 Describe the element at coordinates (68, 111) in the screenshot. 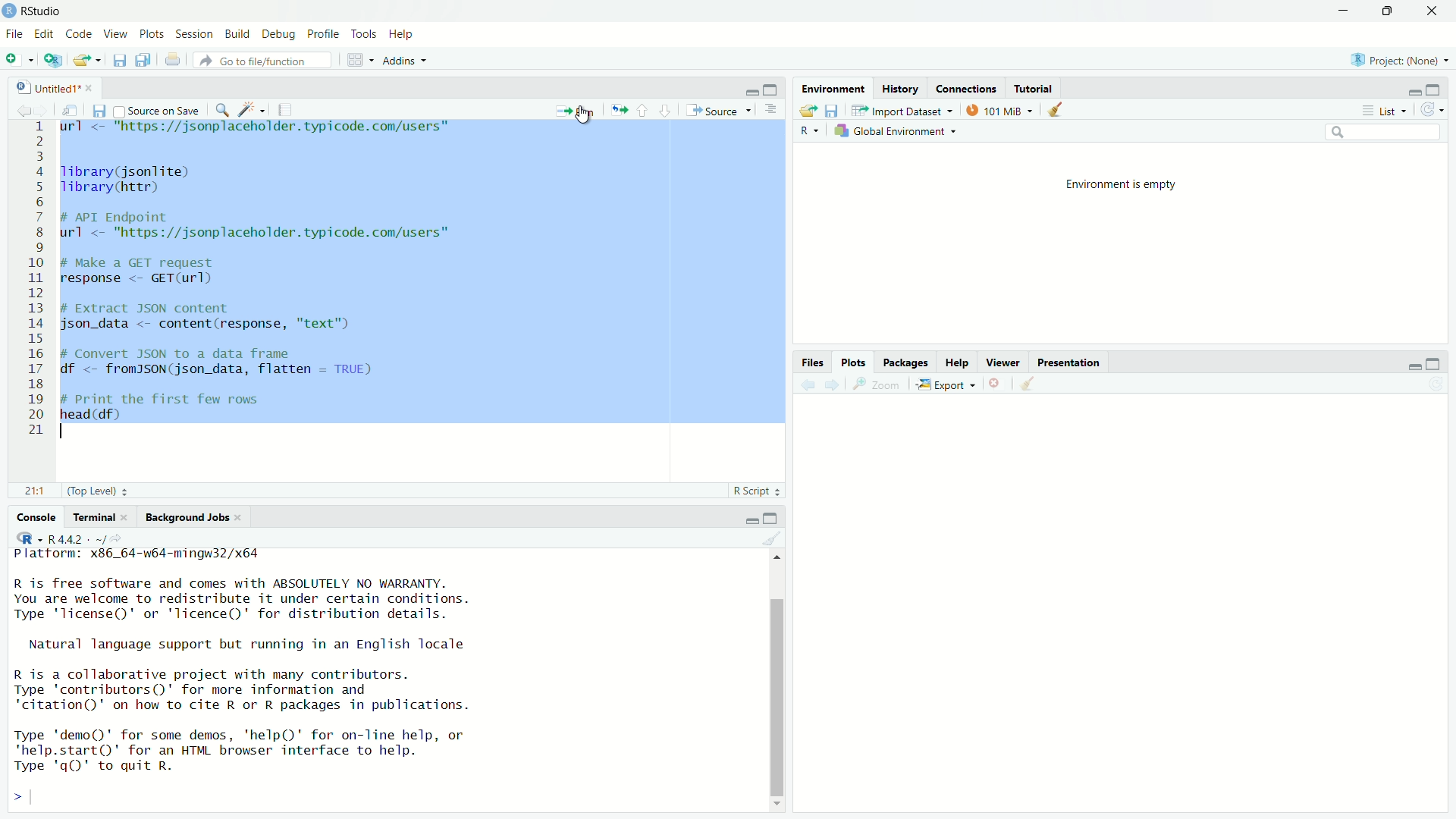

I see `Show in new window` at that location.